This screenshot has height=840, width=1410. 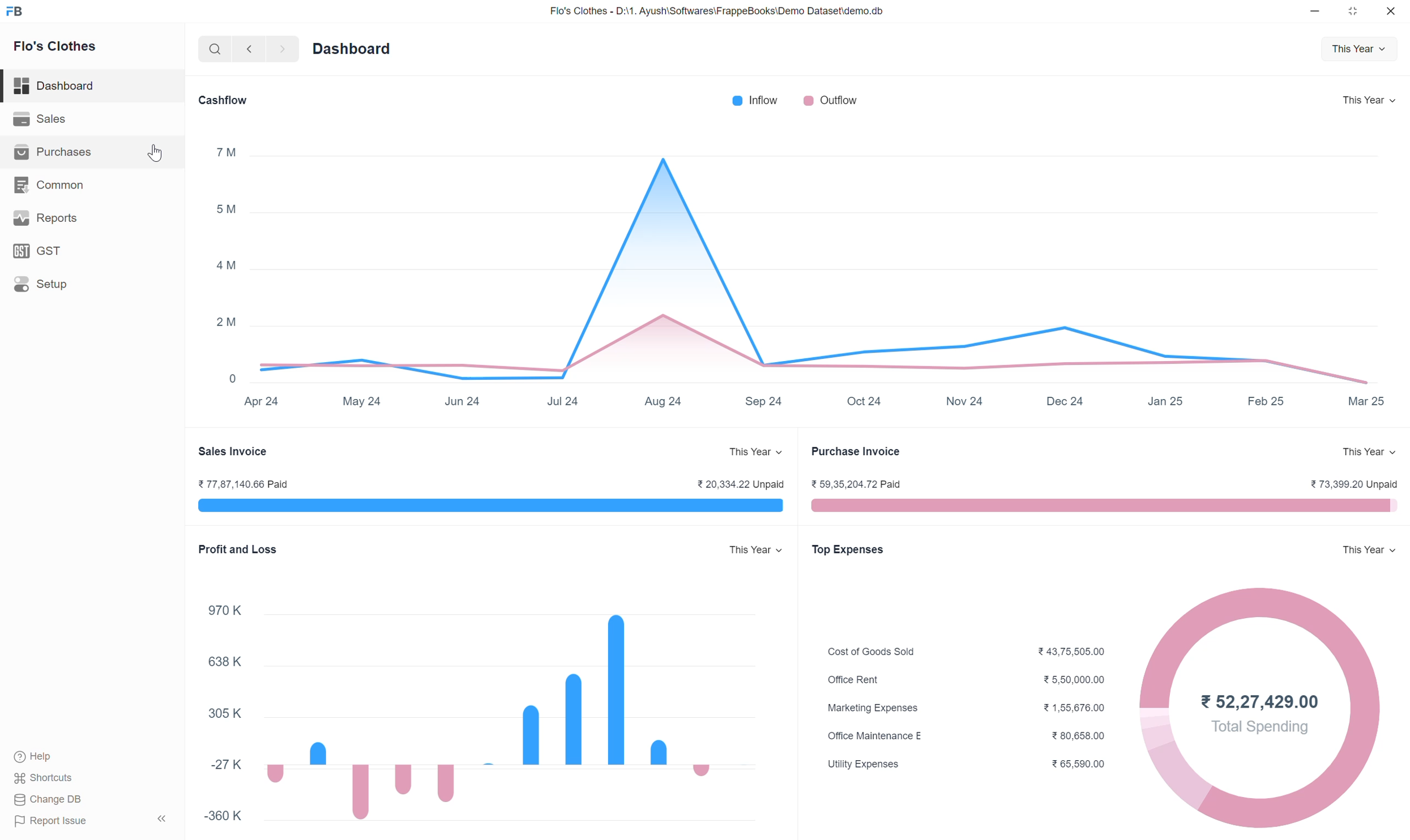 What do you see at coordinates (46, 824) in the screenshot?
I see `Report Issue` at bounding box center [46, 824].